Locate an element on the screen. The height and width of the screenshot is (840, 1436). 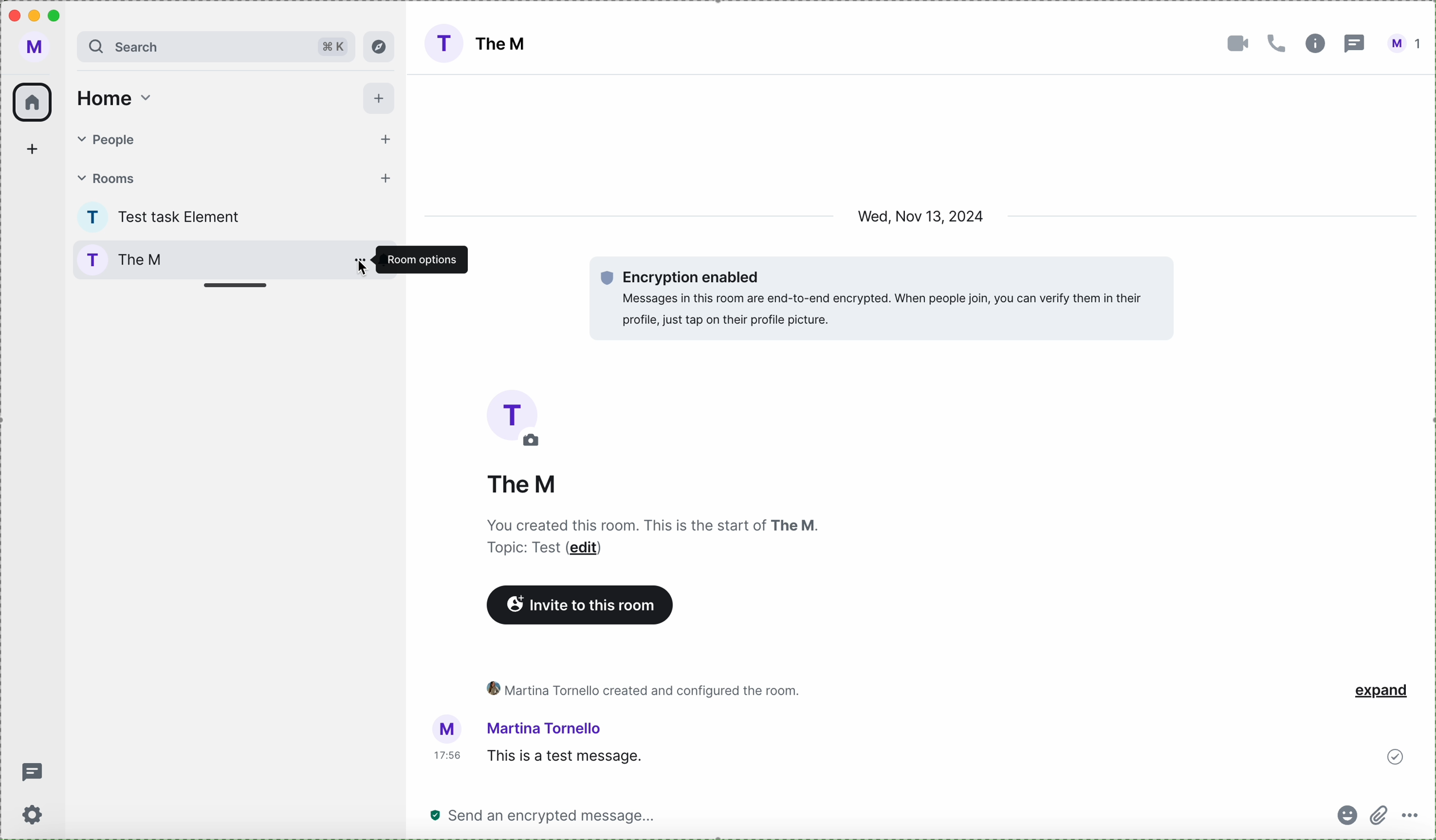
the M is located at coordinates (523, 487).